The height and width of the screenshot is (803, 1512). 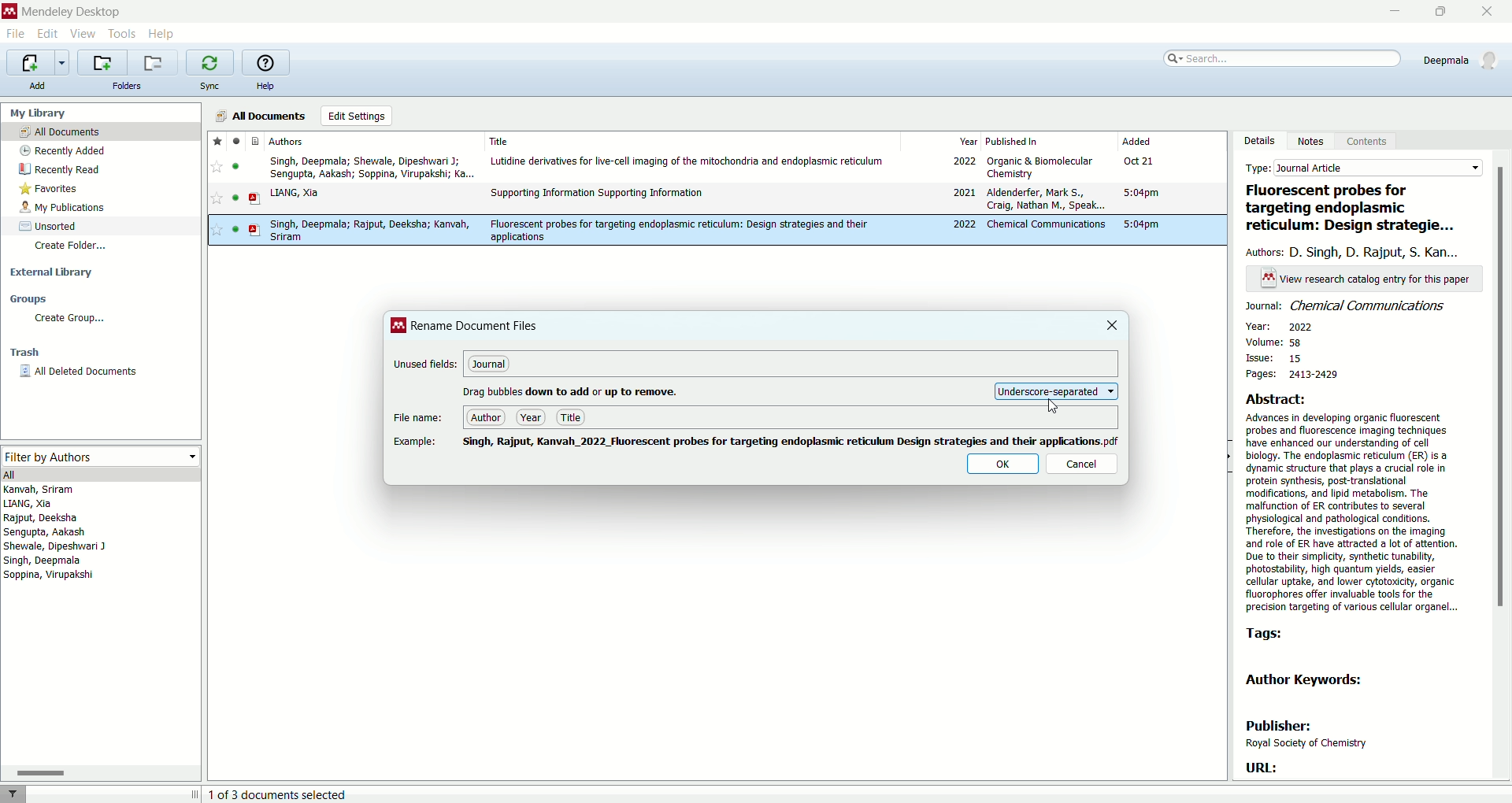 I want to click on edit settings, so click(x=356, y=116).